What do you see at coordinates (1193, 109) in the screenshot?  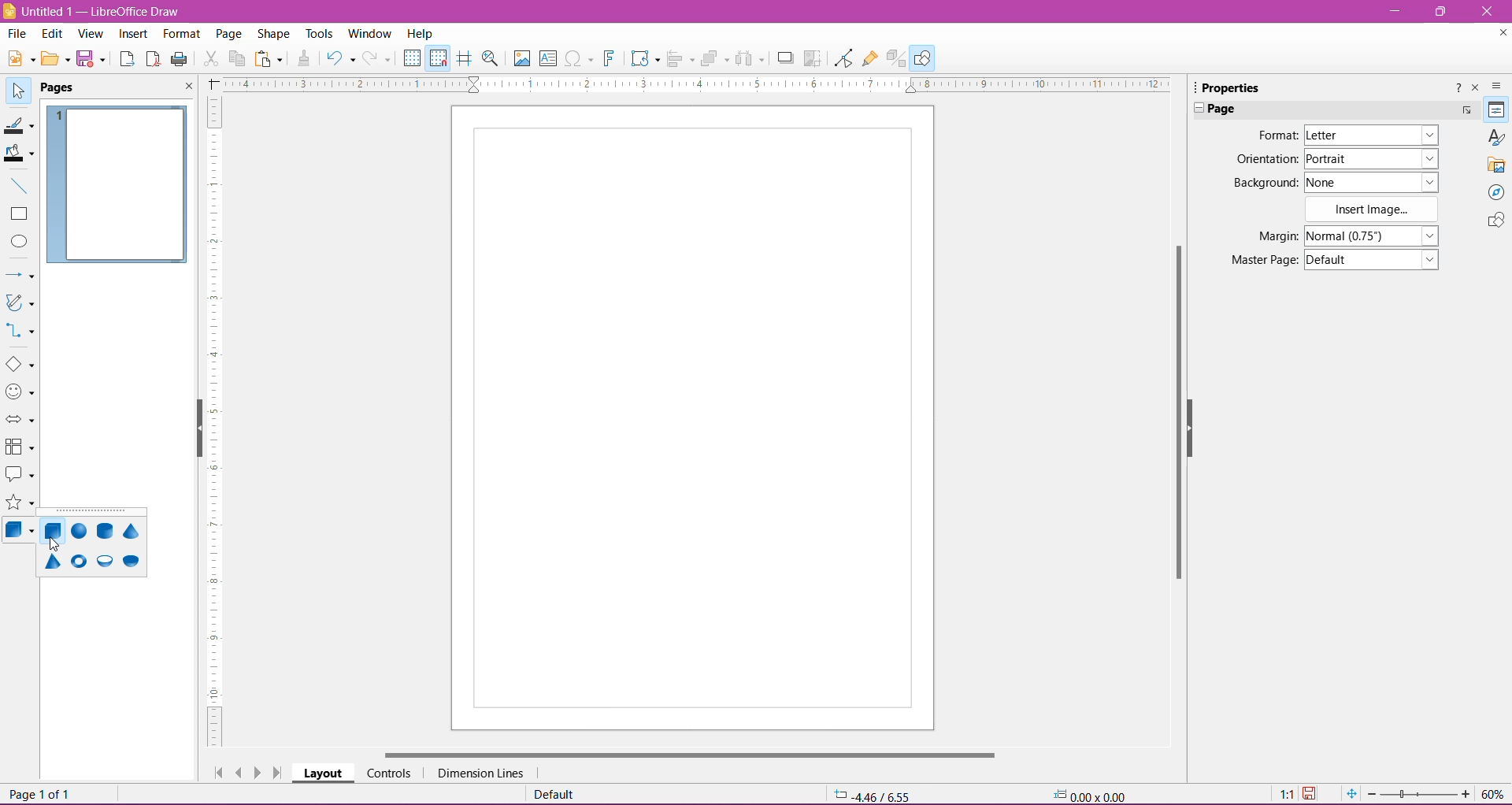 I see `Expand/Close Pane` at bounding box center [1193, 109].